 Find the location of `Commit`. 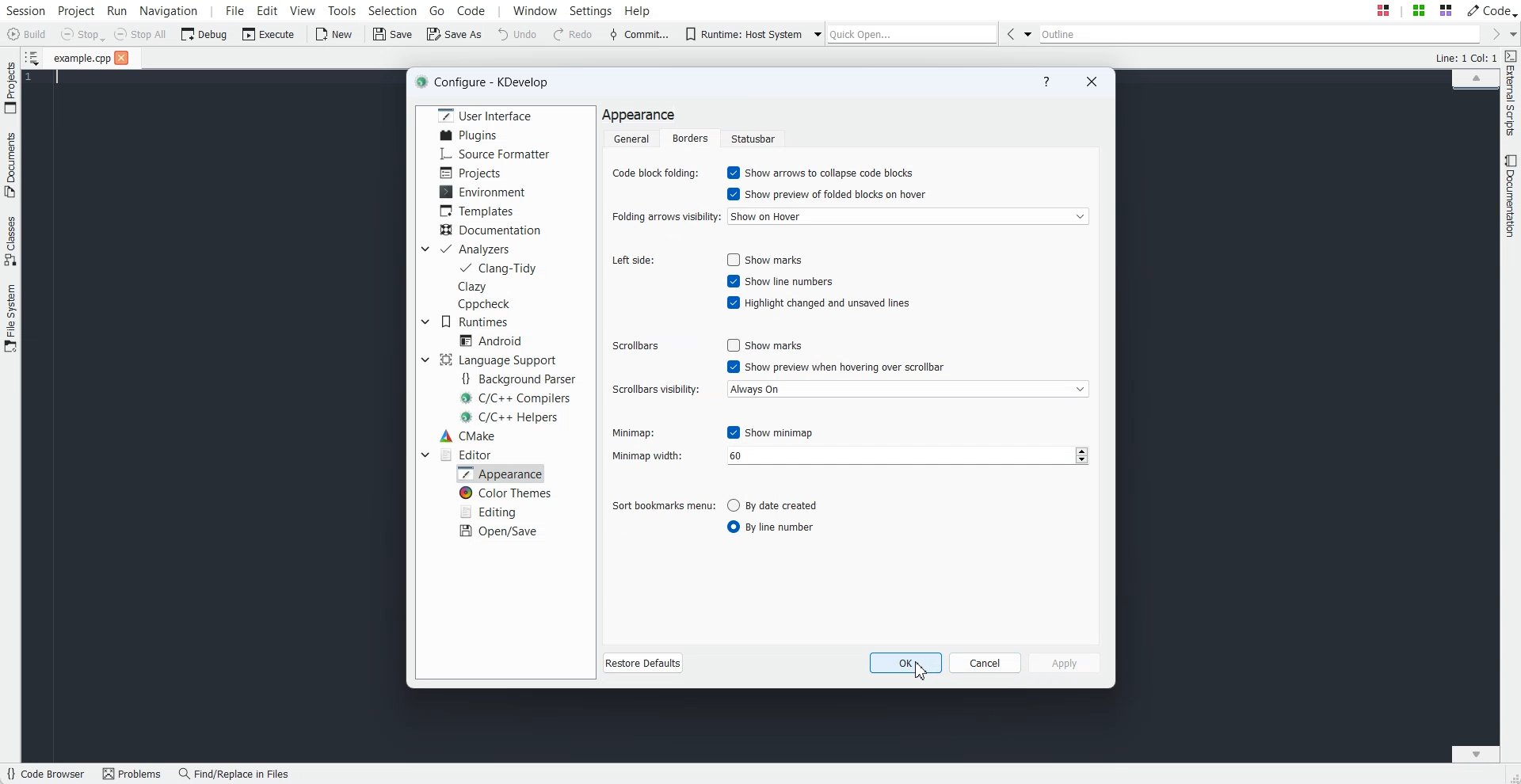

Commit is located at coordinates (639, 34).